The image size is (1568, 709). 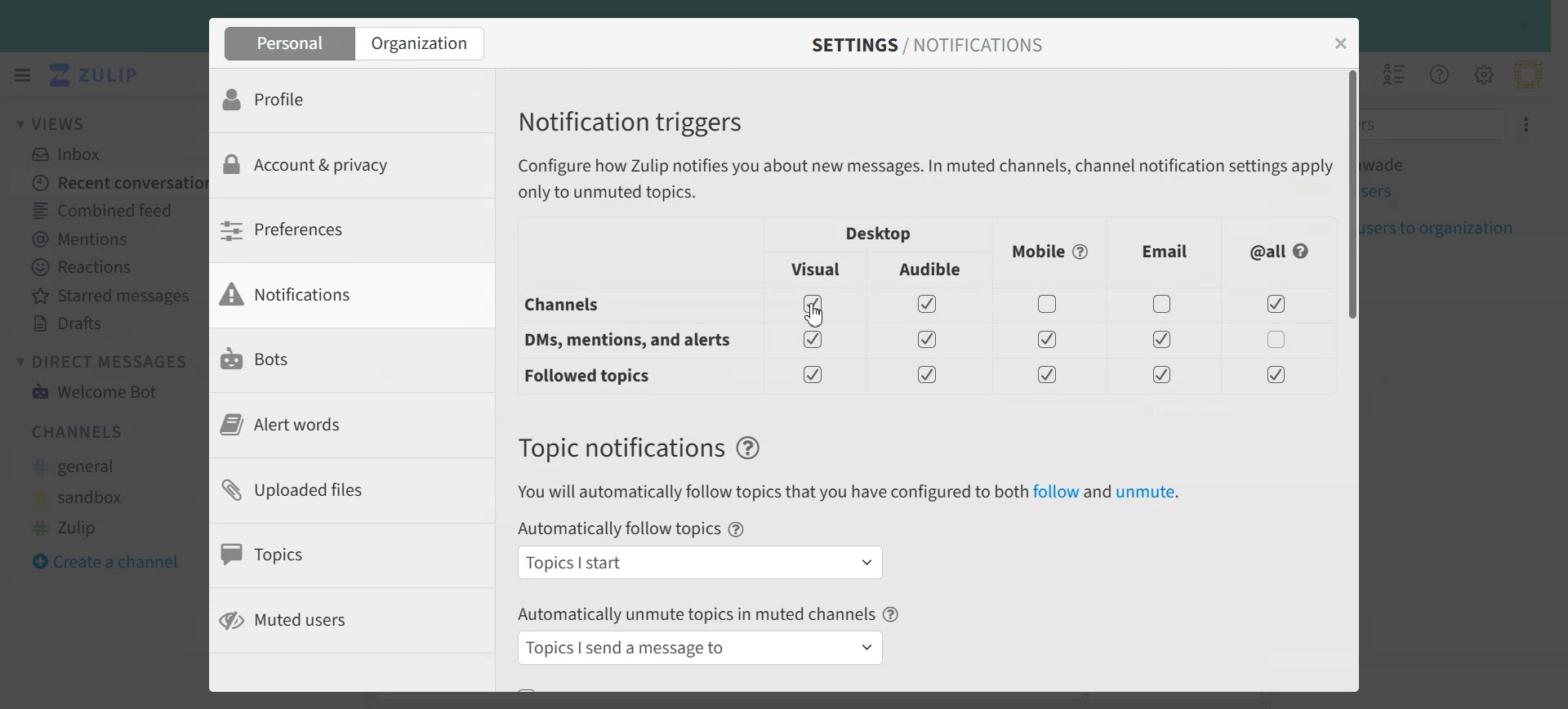 I want to click on Text, so click(x=620, y=448).